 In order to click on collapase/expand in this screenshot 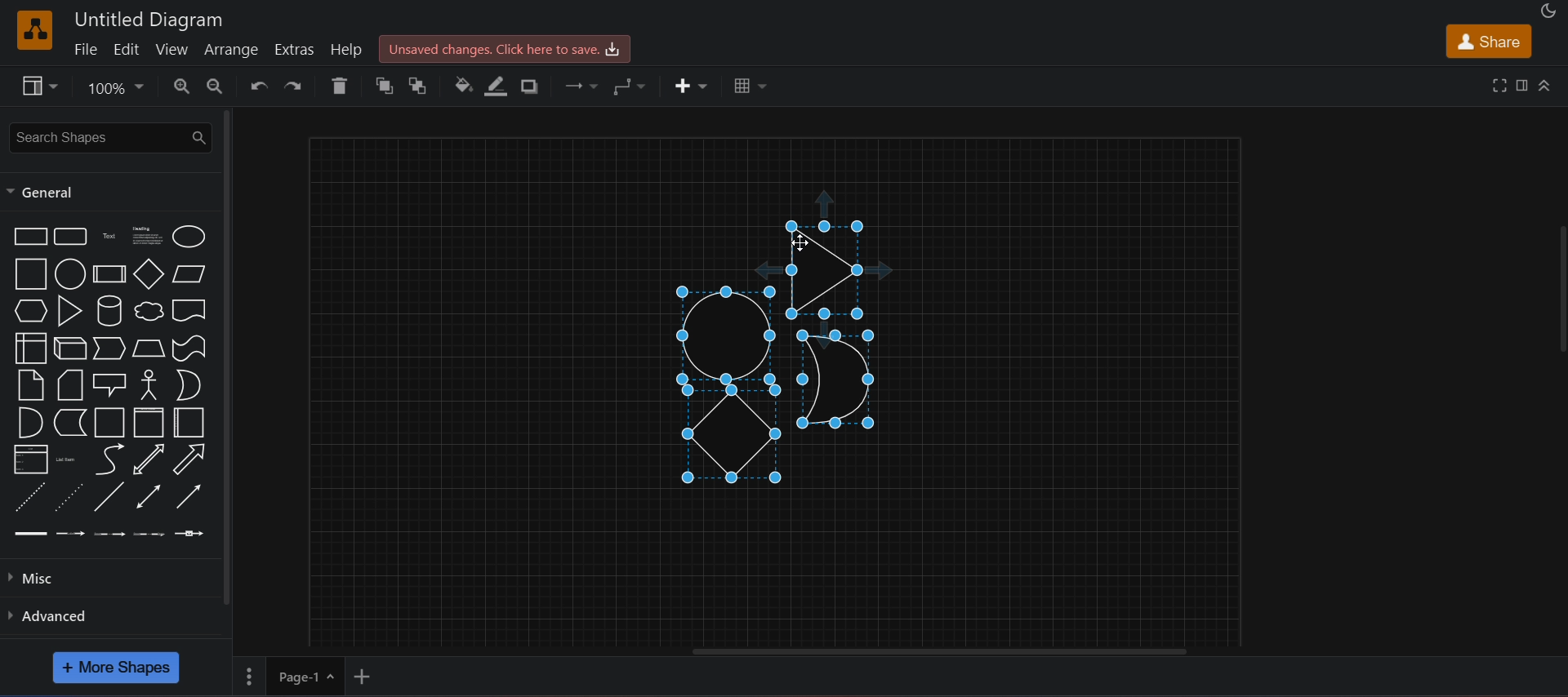, I will do `click(1546, 84)`.